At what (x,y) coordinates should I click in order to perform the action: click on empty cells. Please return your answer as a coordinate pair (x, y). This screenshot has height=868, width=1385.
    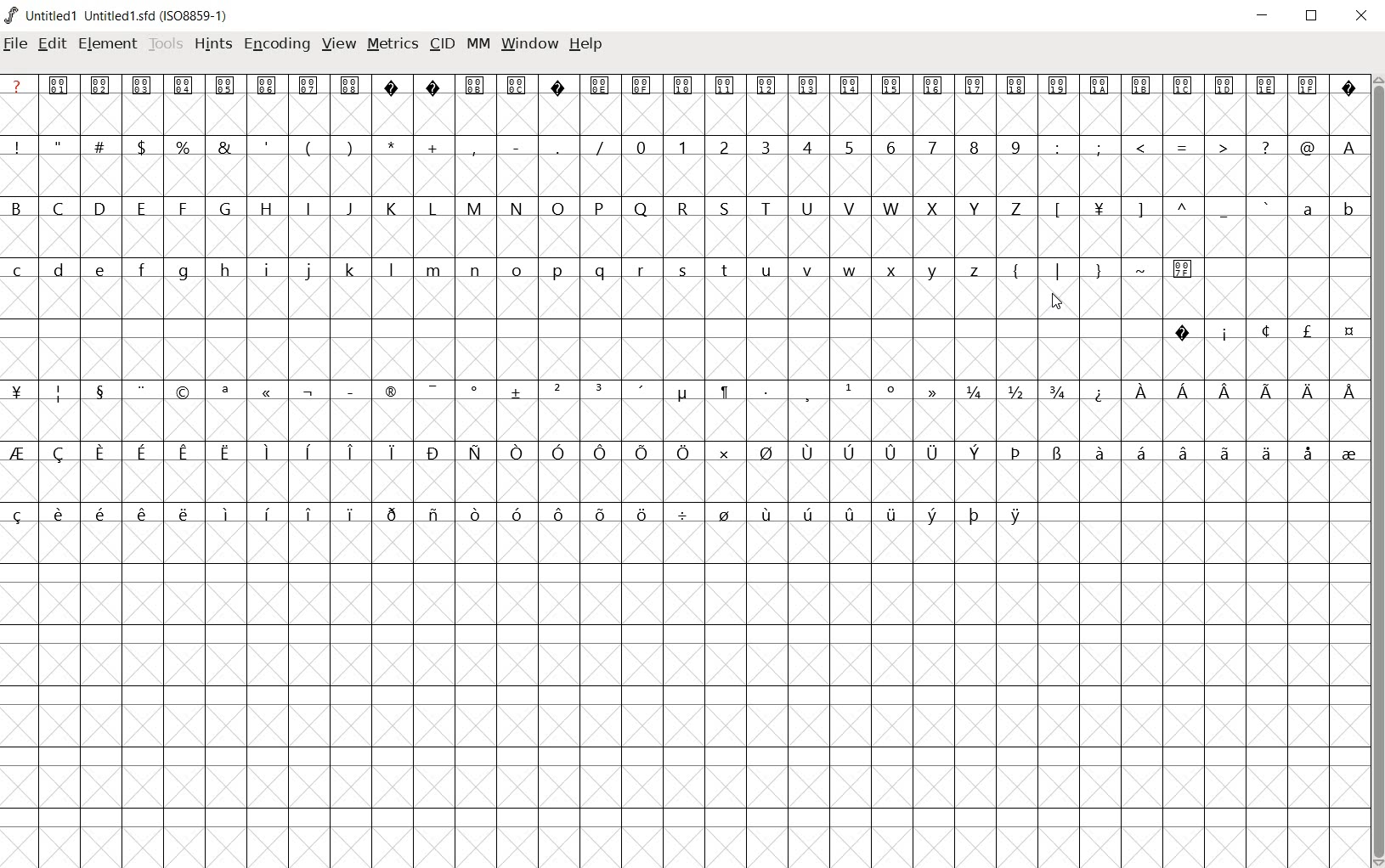
    Looking at the image, I should click on (685, 418).